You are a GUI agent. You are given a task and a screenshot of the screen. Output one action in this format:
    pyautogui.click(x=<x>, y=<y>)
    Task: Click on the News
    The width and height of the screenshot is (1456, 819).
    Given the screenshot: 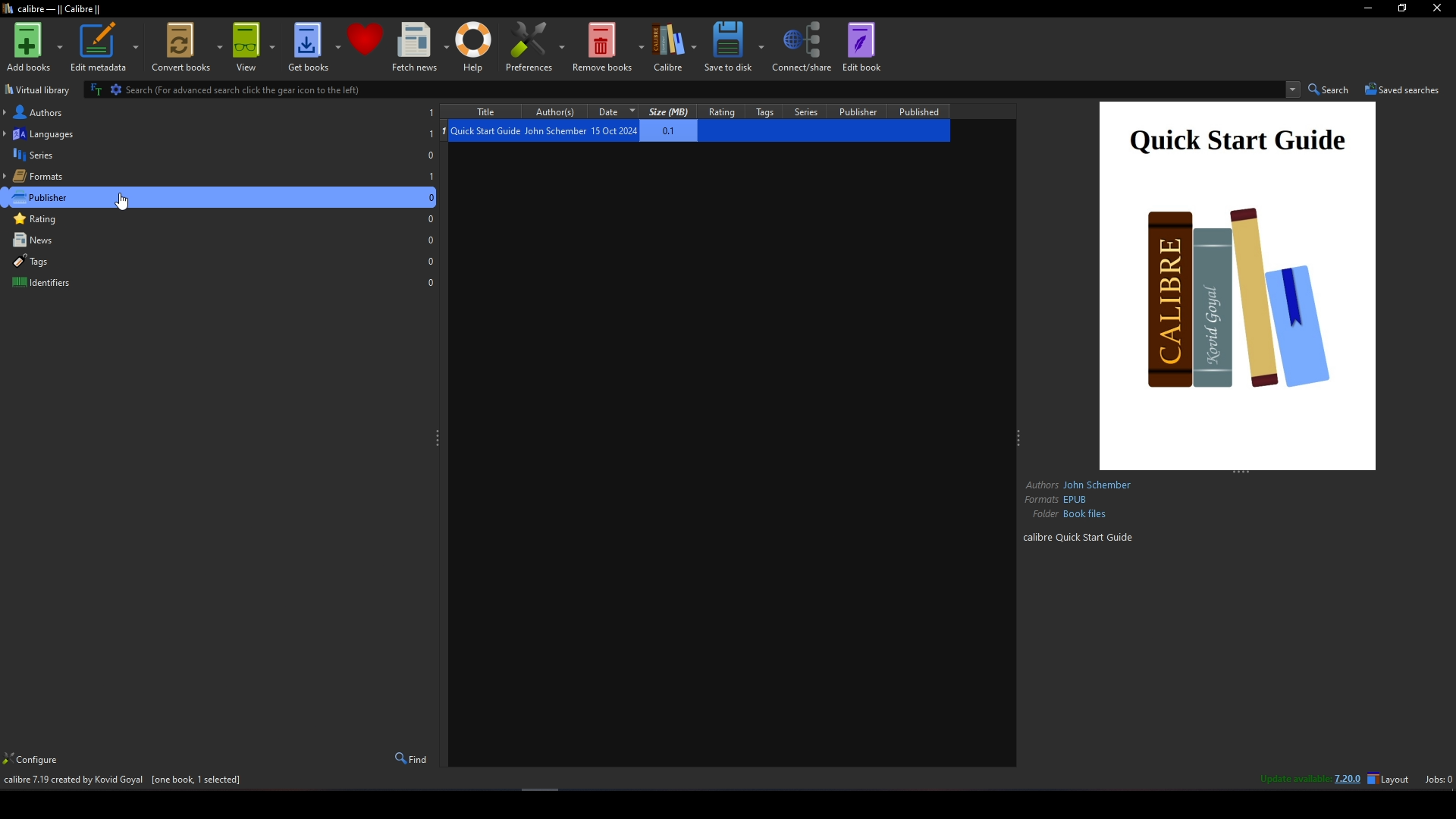 What is the action you would take?
    pyautogui.click(x=221, y=240)
    